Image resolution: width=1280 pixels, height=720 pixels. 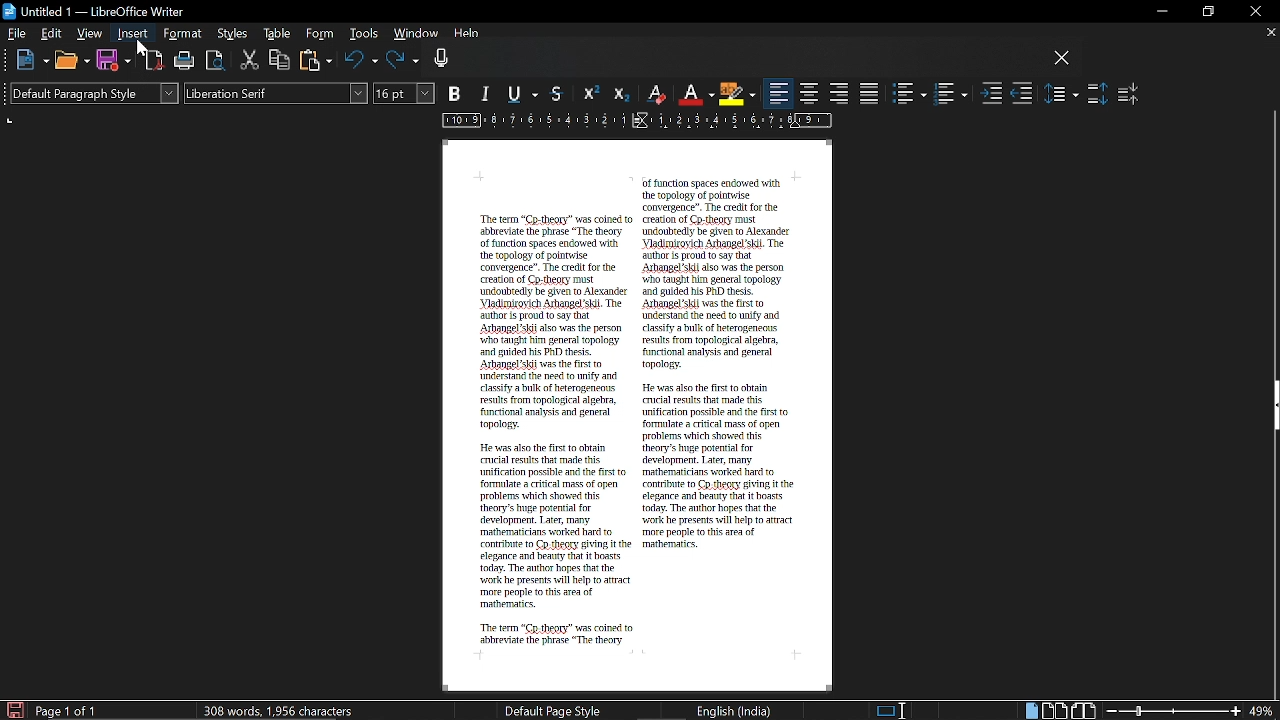 I want to click on Increase indent, so click(x=992, y=95).